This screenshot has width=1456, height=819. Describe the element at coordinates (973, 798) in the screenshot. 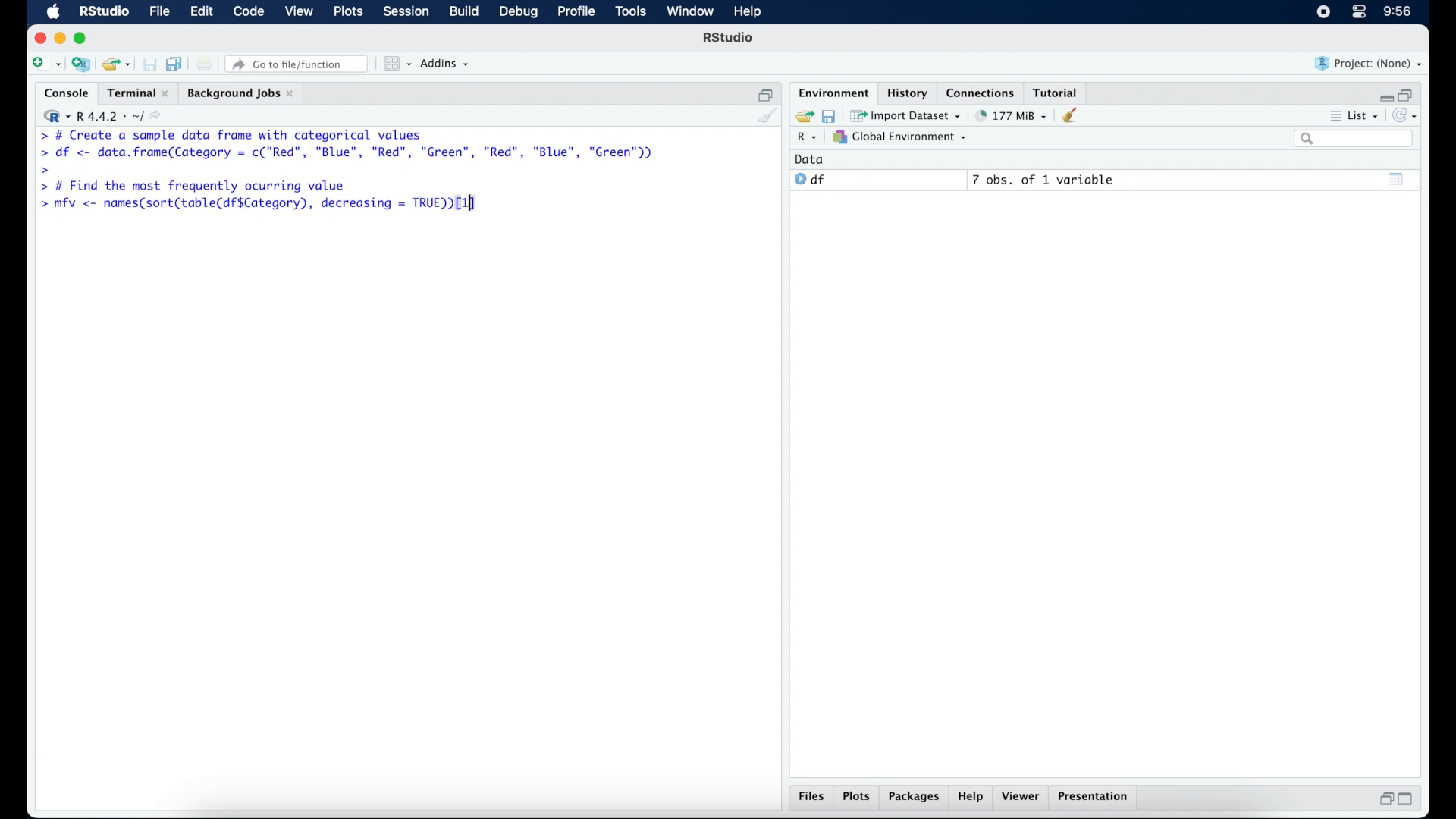

I see `help` at that location.